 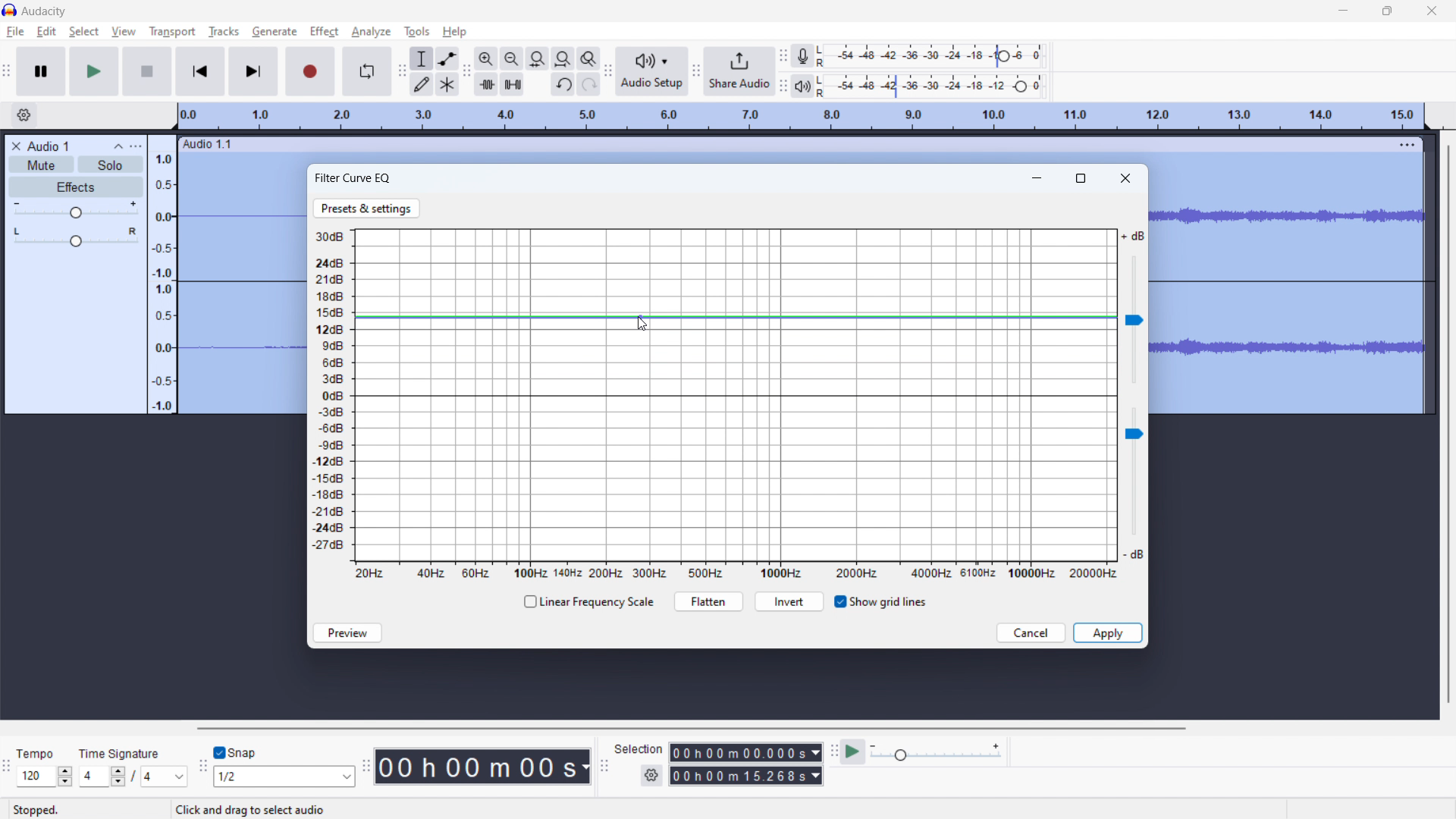 What do you see at coordinates (587, 602) in the screenshot?
I see `linear frequency scale checkbox` at bounding box center [587, 602].